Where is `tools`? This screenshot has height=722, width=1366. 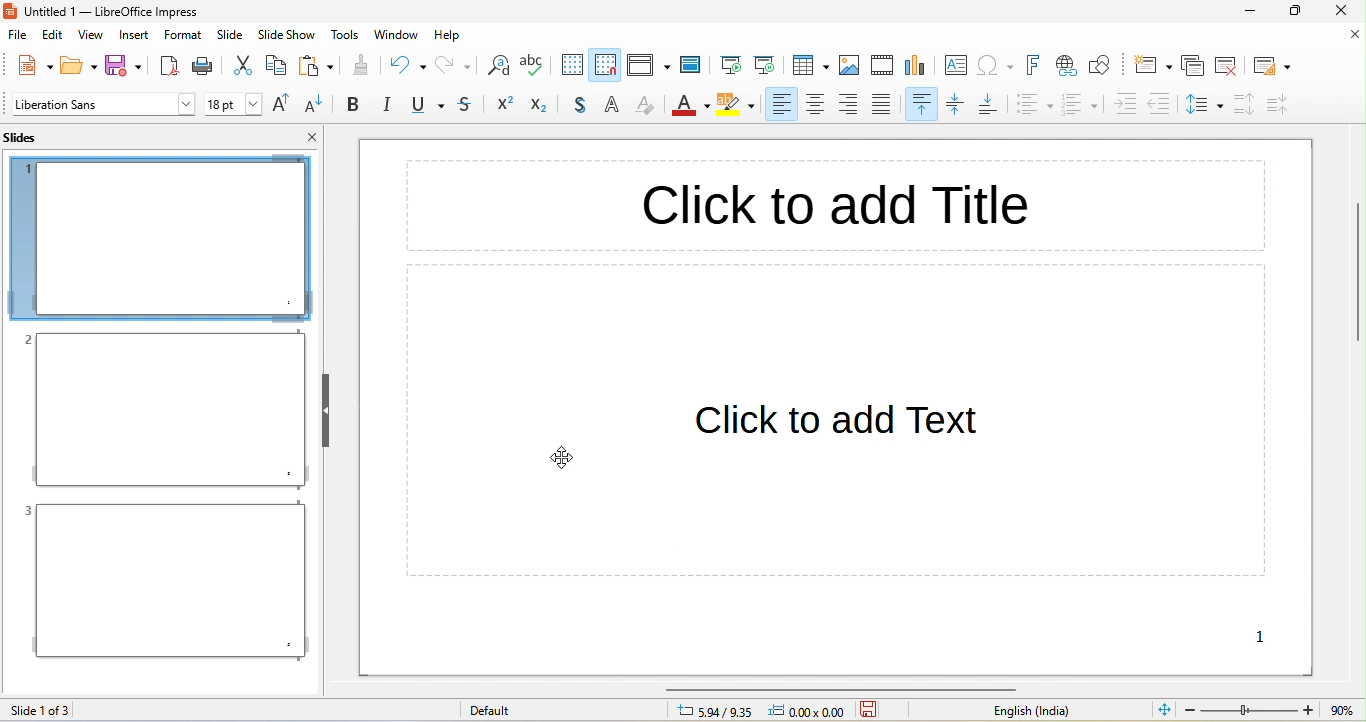 tools is located at coordinates (346, 34).